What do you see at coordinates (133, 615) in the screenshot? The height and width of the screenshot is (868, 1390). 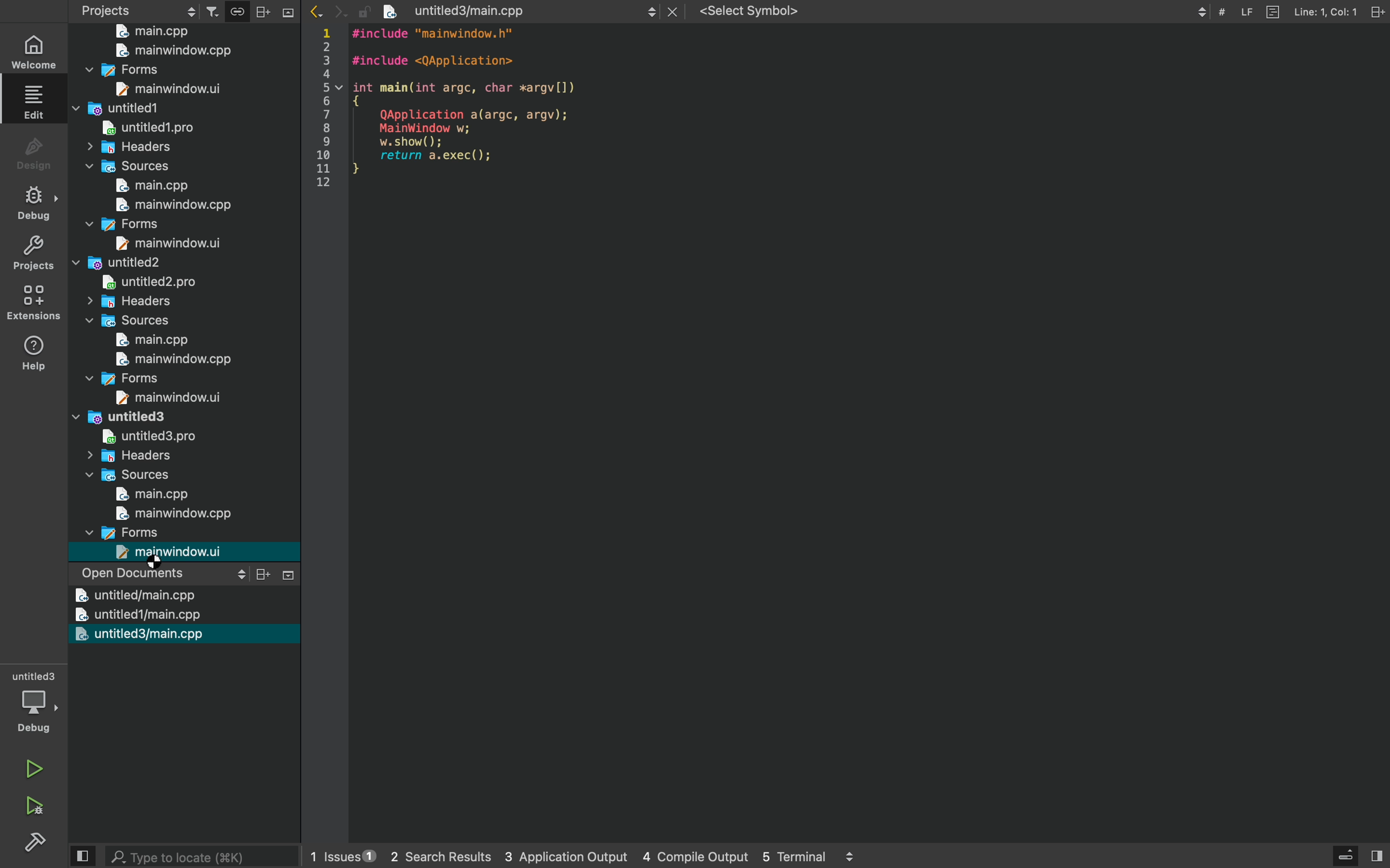 I see `untitled` at bounding box center [133, 615].